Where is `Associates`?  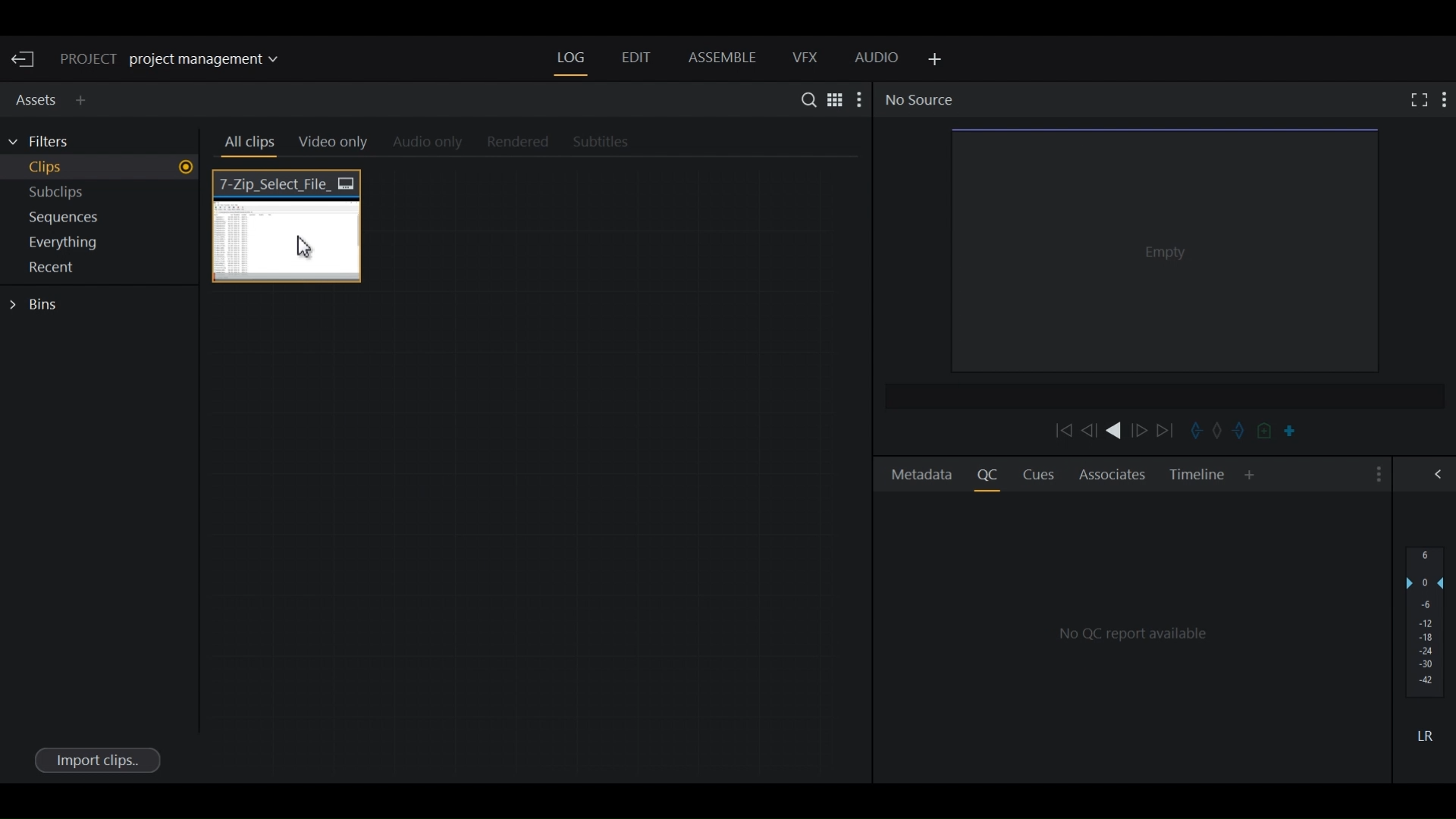 Associates is located at coordinates (1112, 474).